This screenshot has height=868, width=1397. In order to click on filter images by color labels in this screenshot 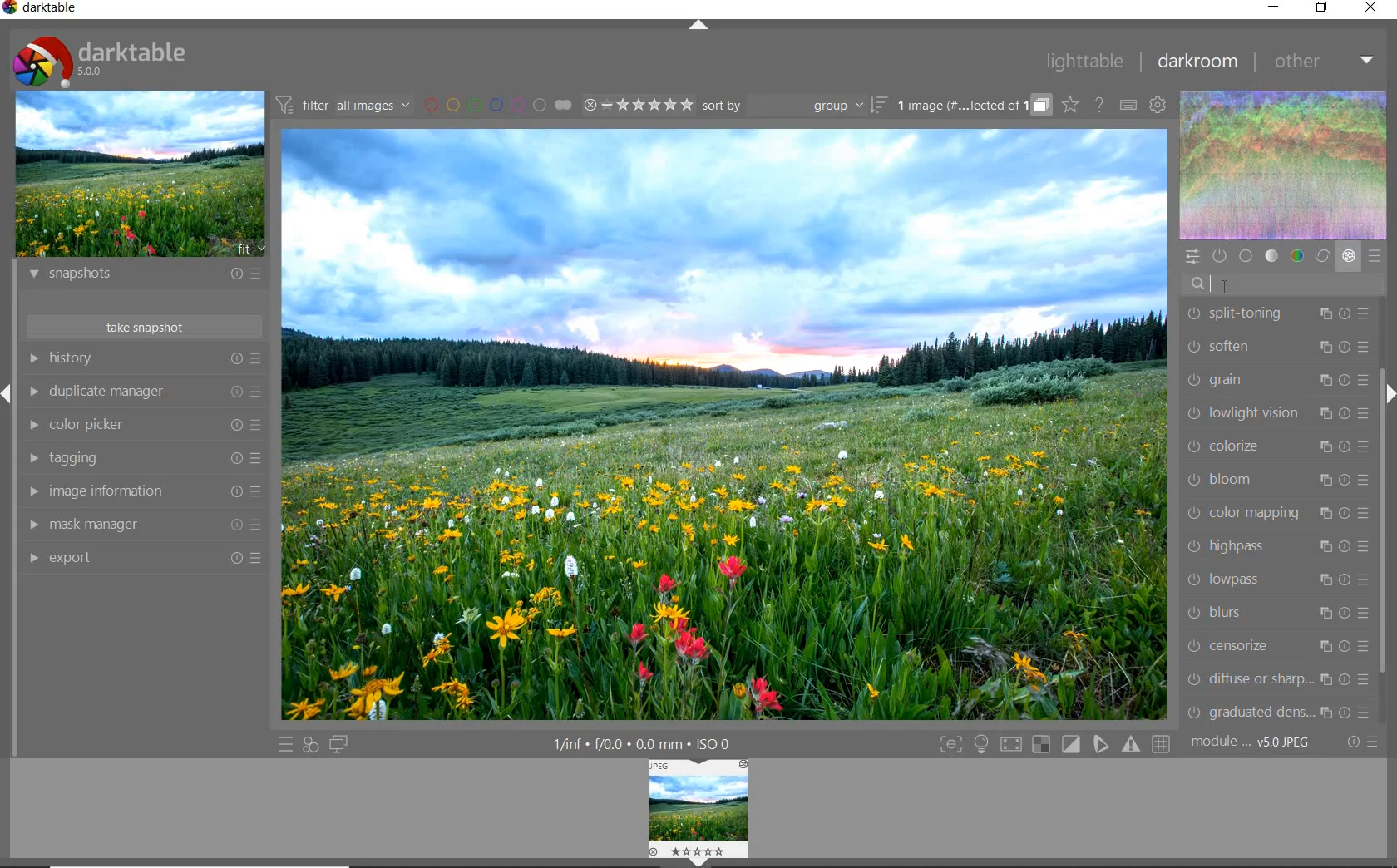, I will do `click(496, 105)`.